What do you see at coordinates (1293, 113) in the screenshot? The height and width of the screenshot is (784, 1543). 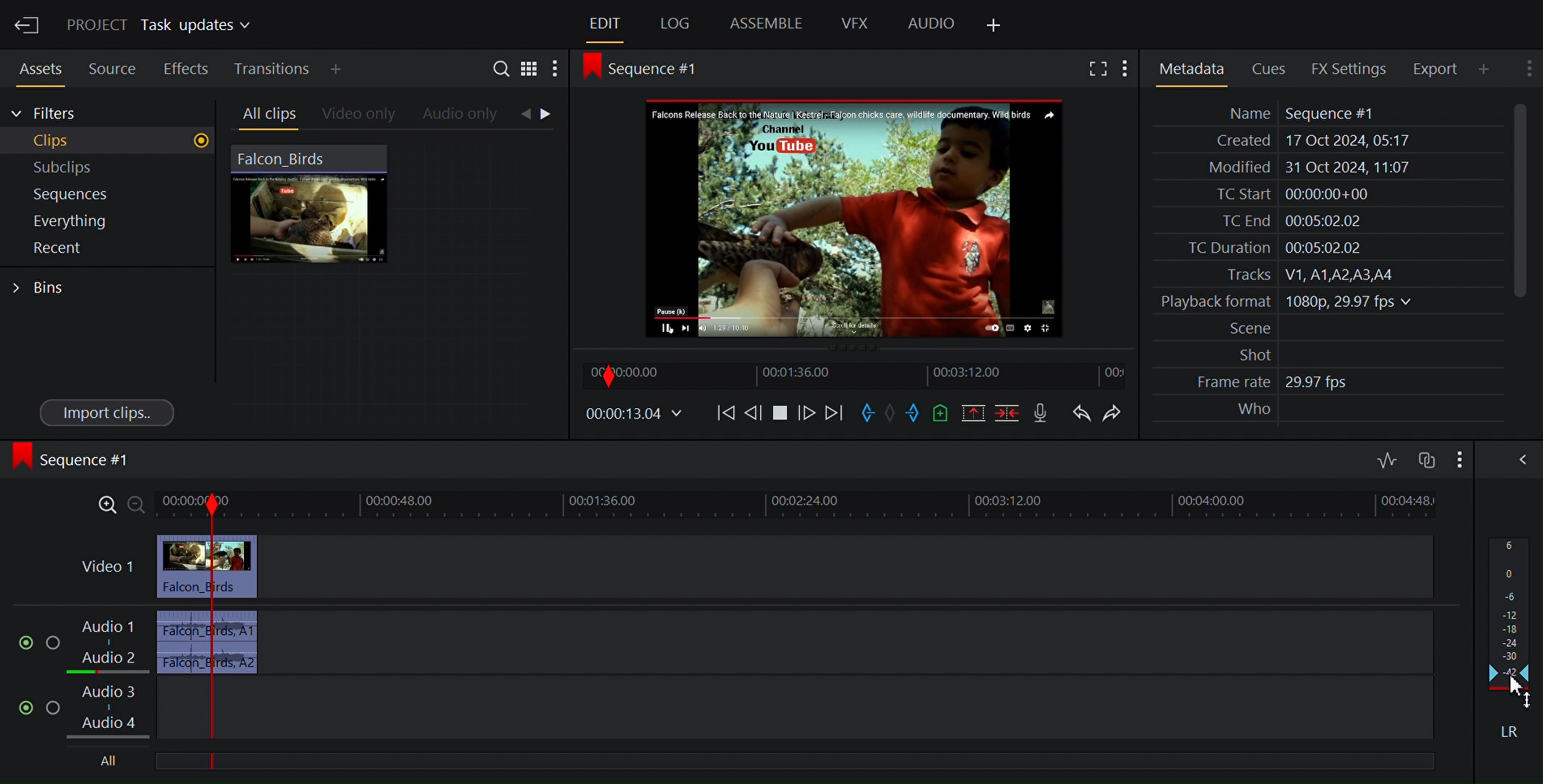 I see `Name Sequence #1` at bounding box center [1293, 113].